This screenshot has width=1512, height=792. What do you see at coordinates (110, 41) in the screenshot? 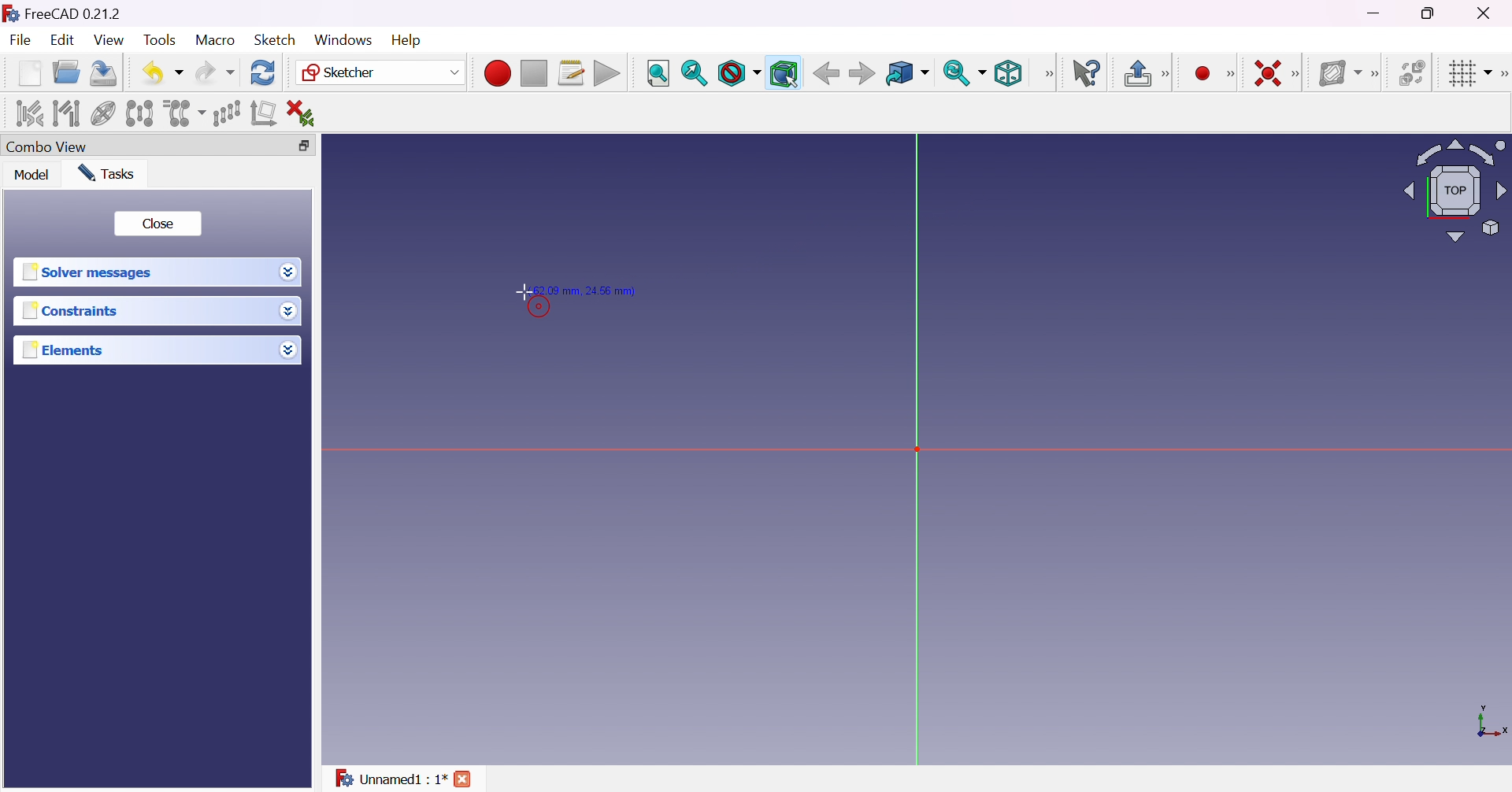
I see `View` at bounding box center [110, 41].